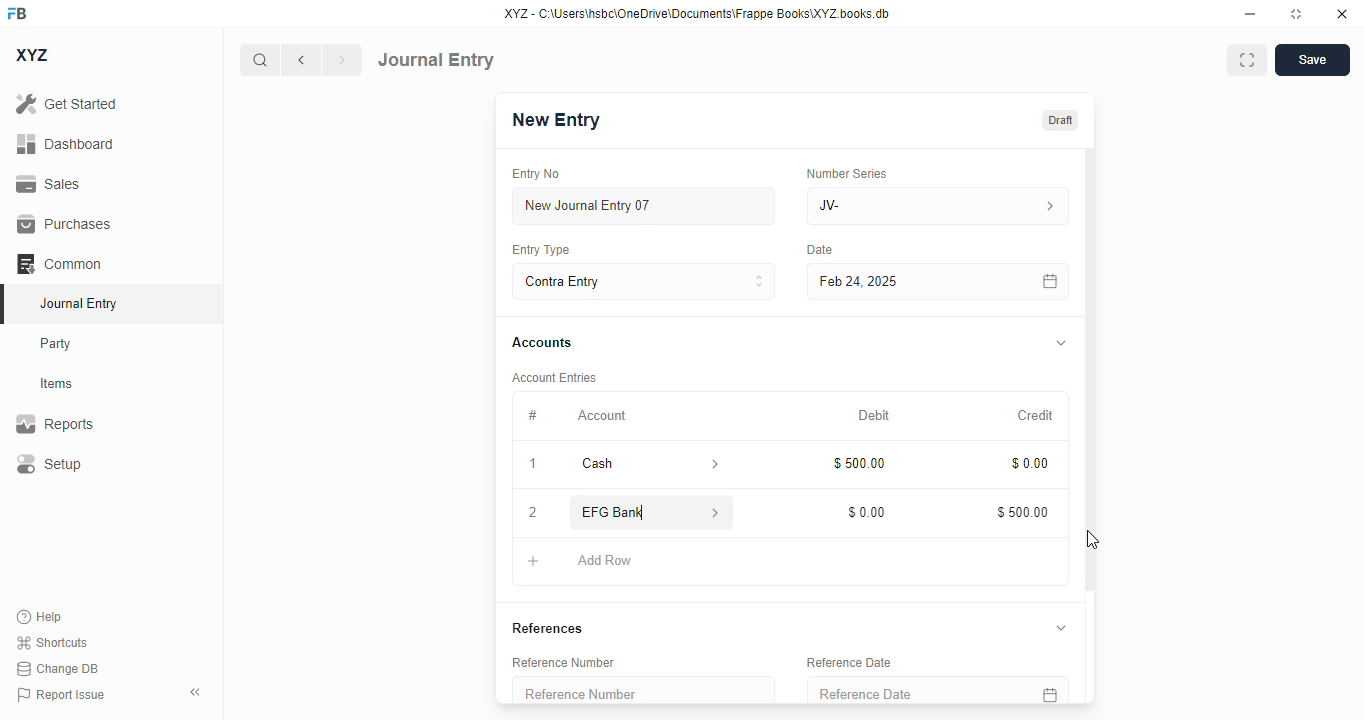 Image resolution: width=1364 pixels, height=720 pixels. What do you see at coordinates (52, 642) in the screenshot?
I see `shortcuts` at bounding box center [52, 642].